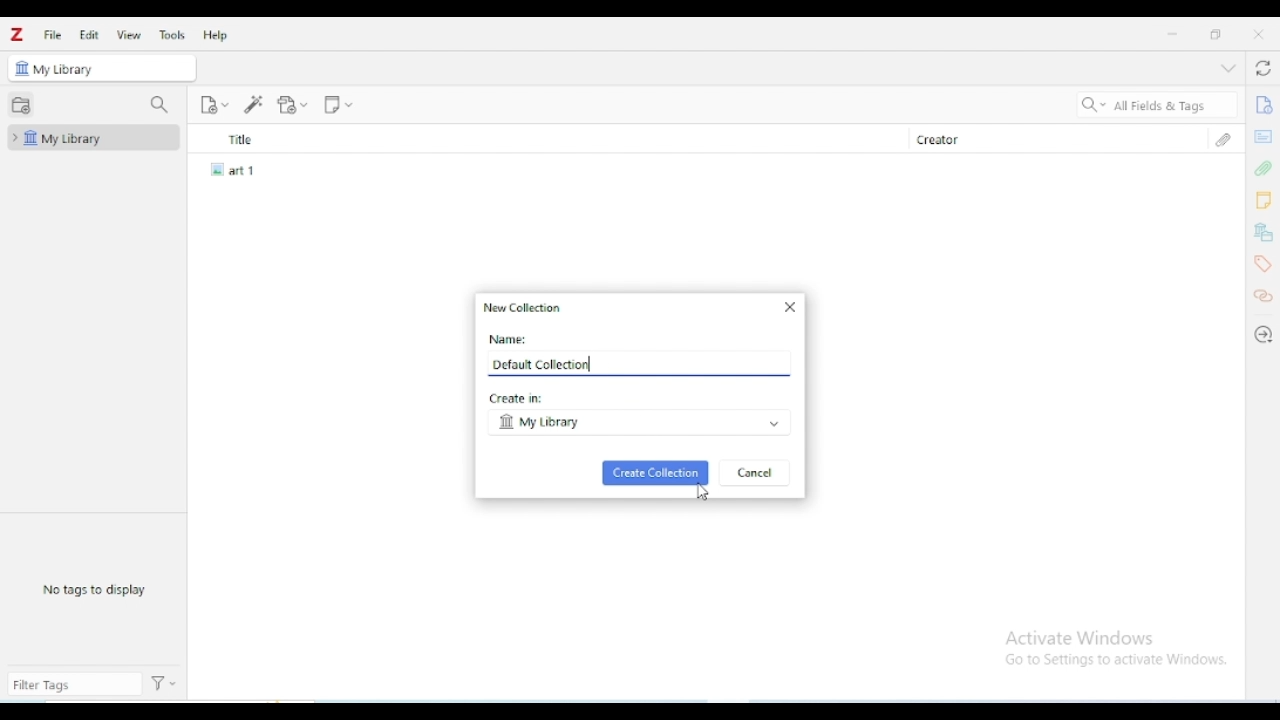 The image size is (1280, 720). Describe the element at coordinates (1263, 135) in the screenshot. I see `abstract` at that location.